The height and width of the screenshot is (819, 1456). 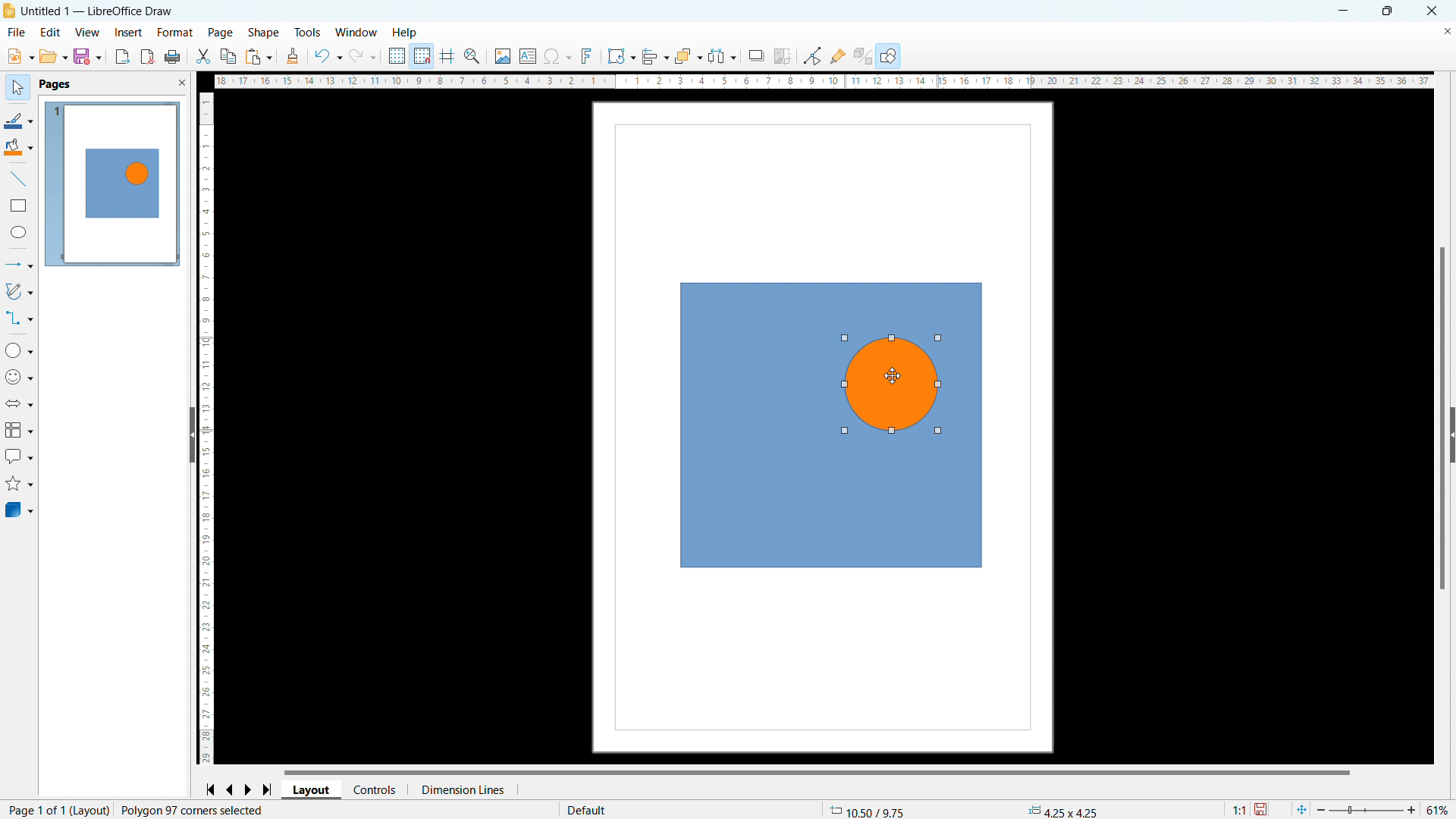 What do you see at coordinates (123, 57) in the screenshot?
I see `export` at bounding box center [123, 57].